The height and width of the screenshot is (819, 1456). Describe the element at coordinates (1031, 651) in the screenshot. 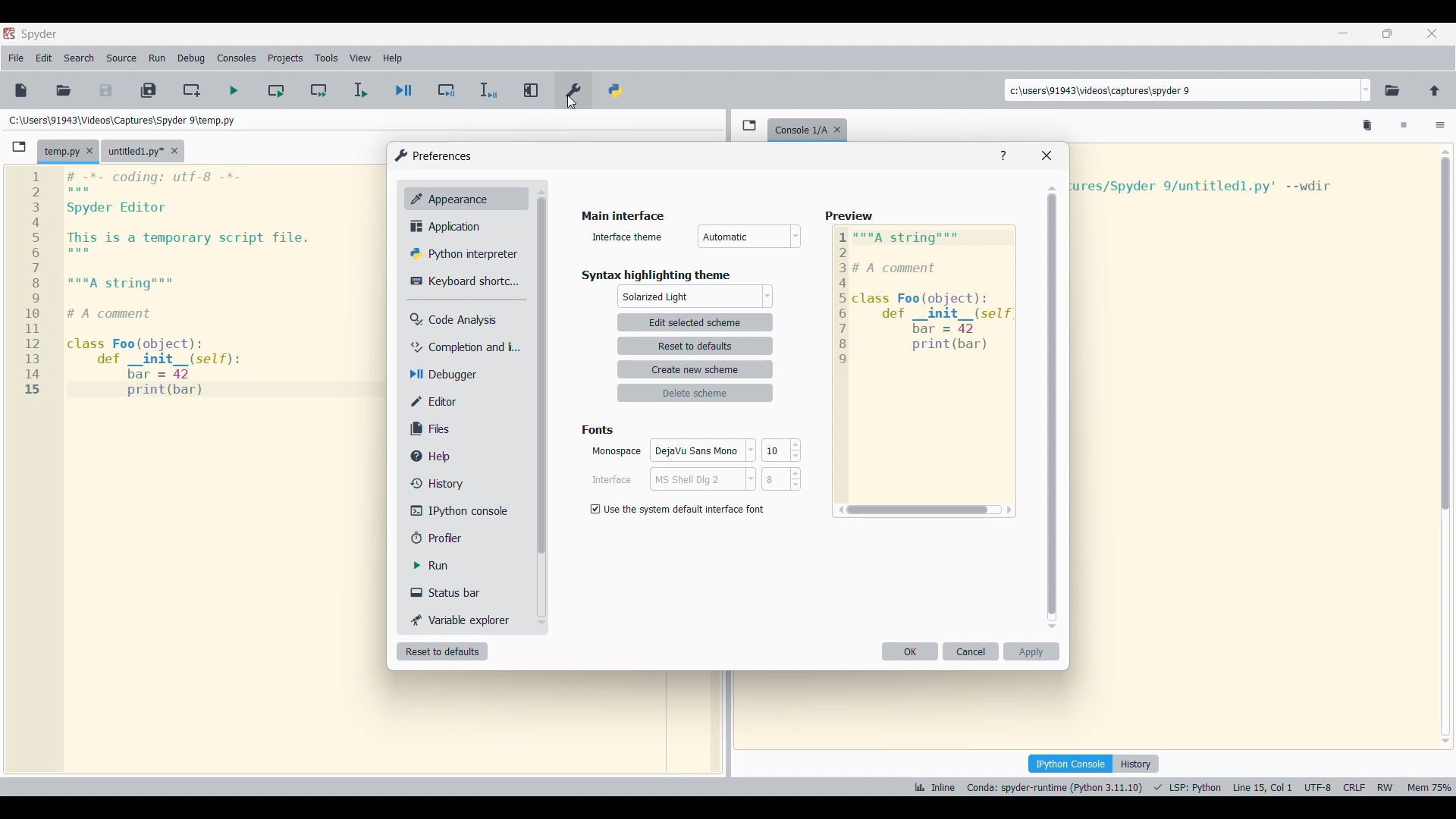

I see `Apply` at that location.